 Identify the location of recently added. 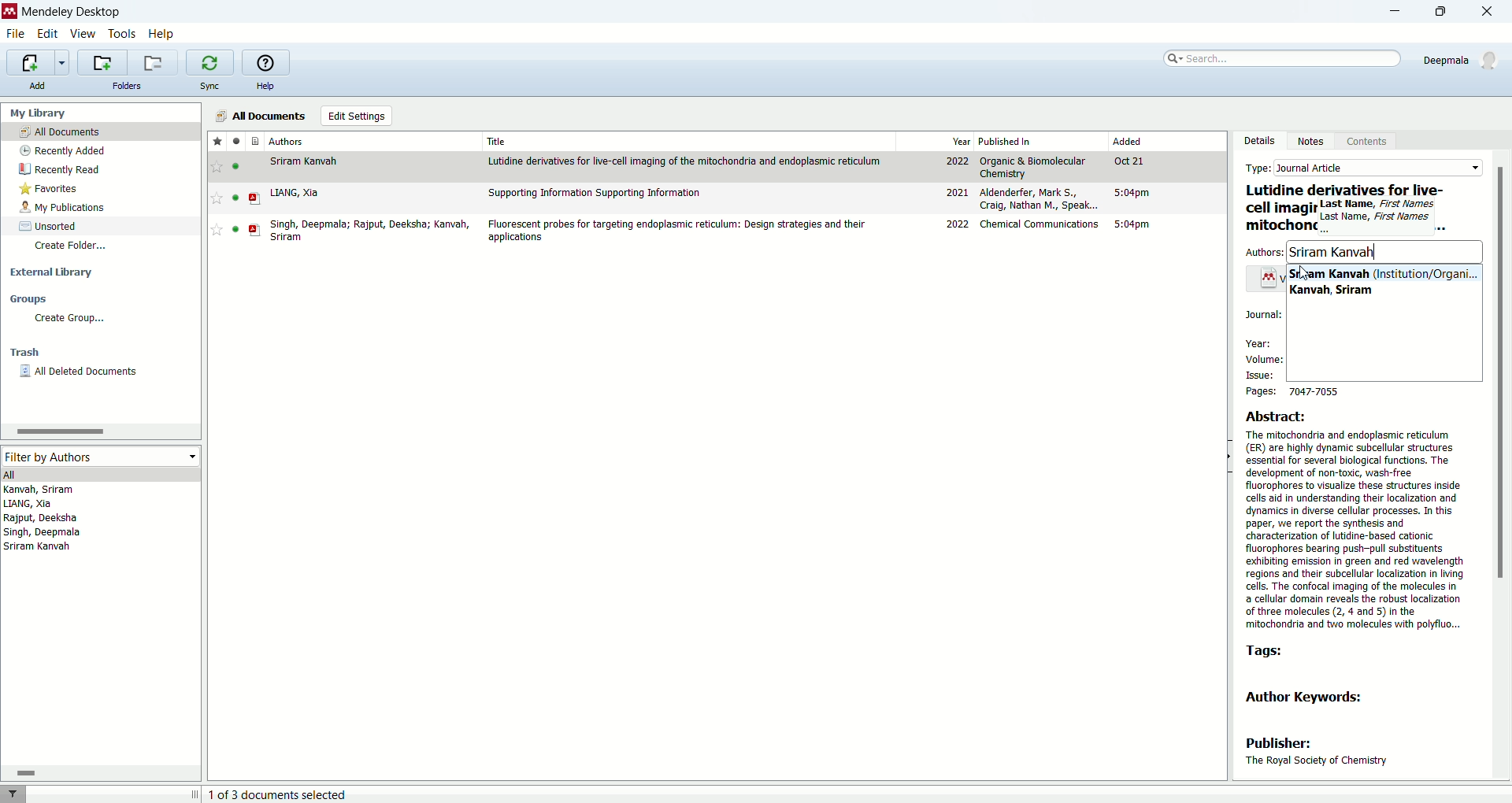
(61, 152).